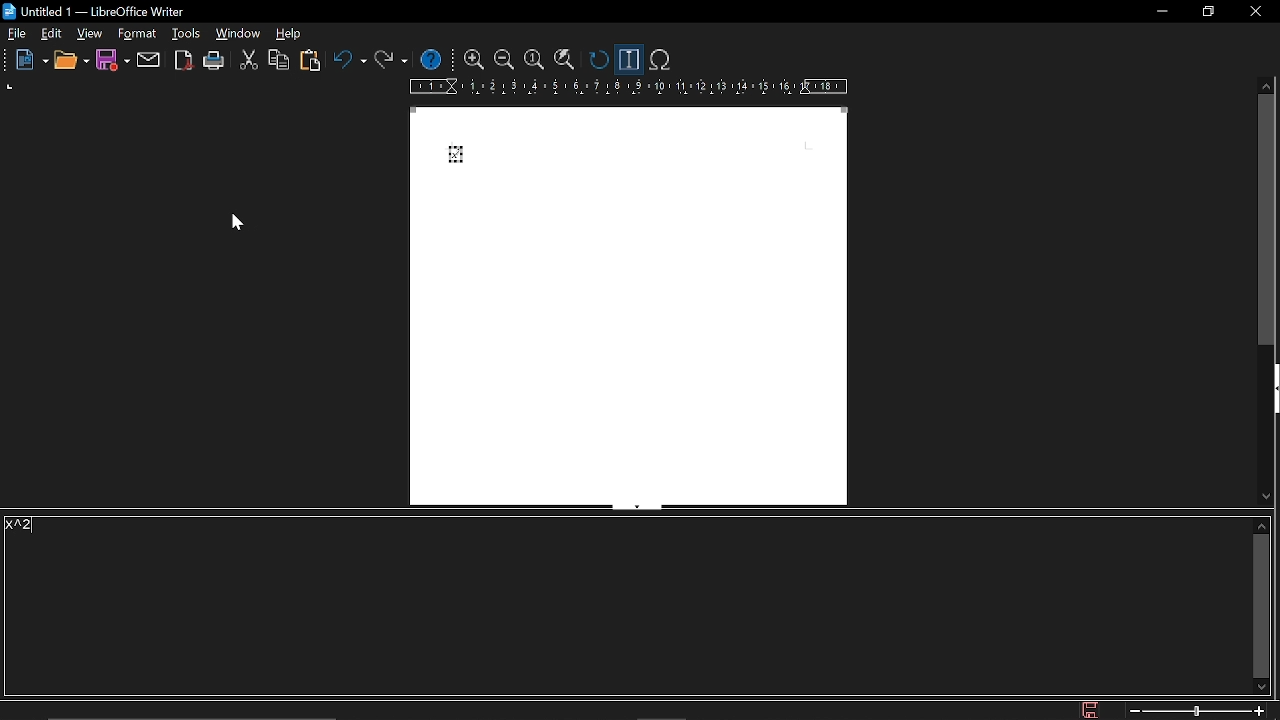 The width and height of the screenshot is (1280, 720). Describe the element at coordinates (22, 526) in the screenshot. I see `typed formula` at that location.